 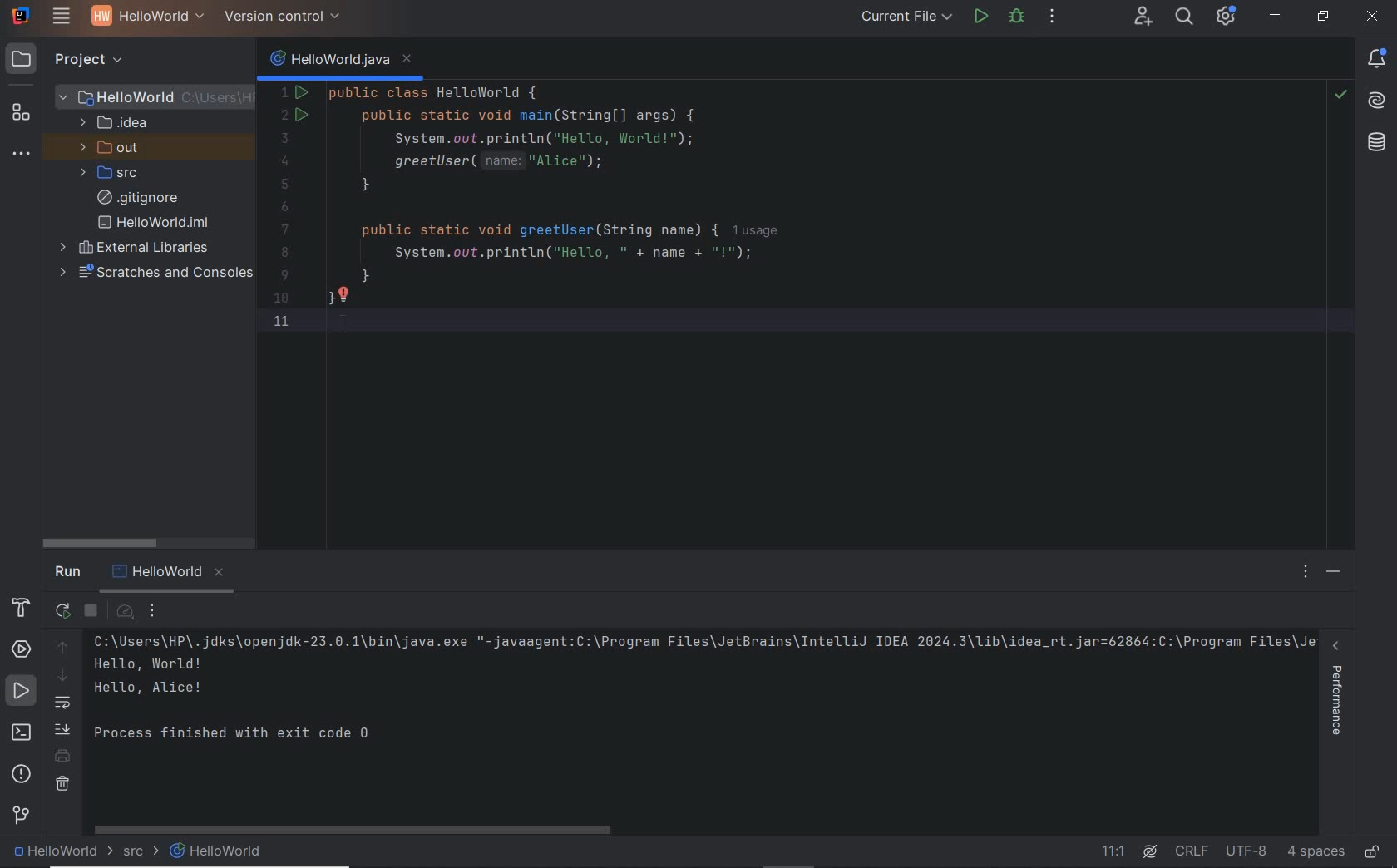 I want to click on HelloWorld(project folder), so click(x=155, y=96).